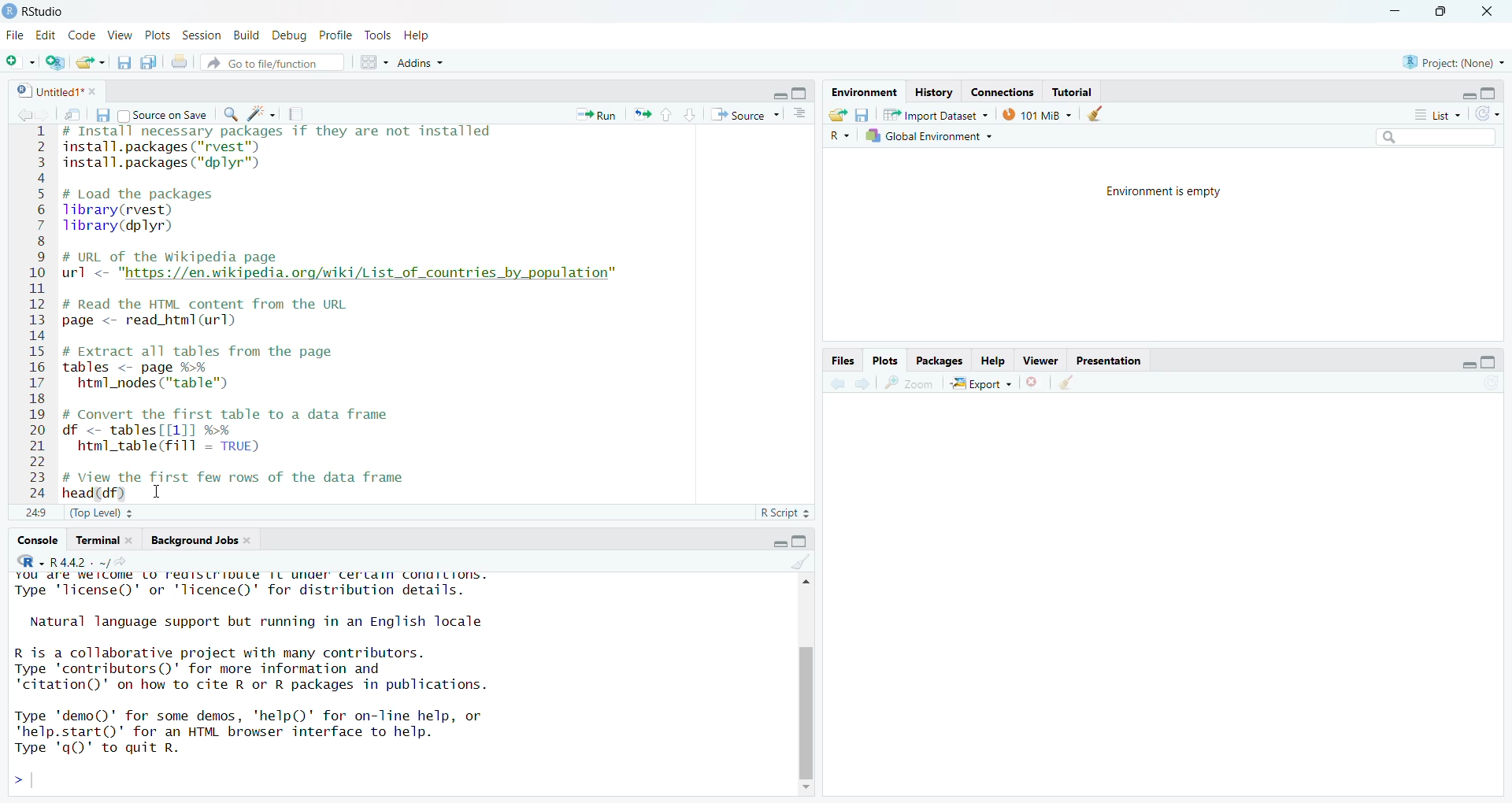 The width and height of the screenshot is (1512, 803). I want to click on clear, so click(1065, 382).